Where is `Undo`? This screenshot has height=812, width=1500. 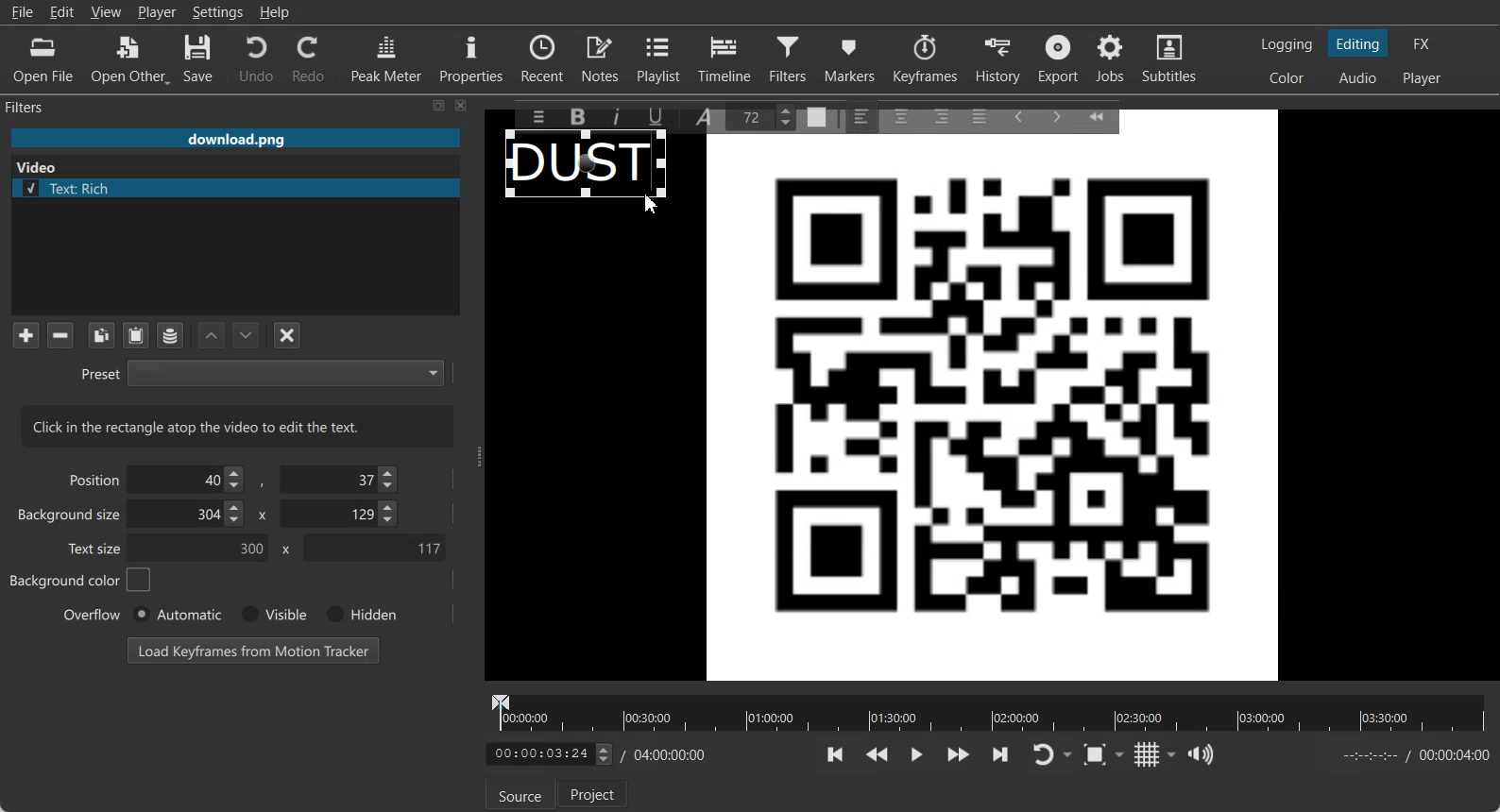 Undo is located at coordinates (256, 58).